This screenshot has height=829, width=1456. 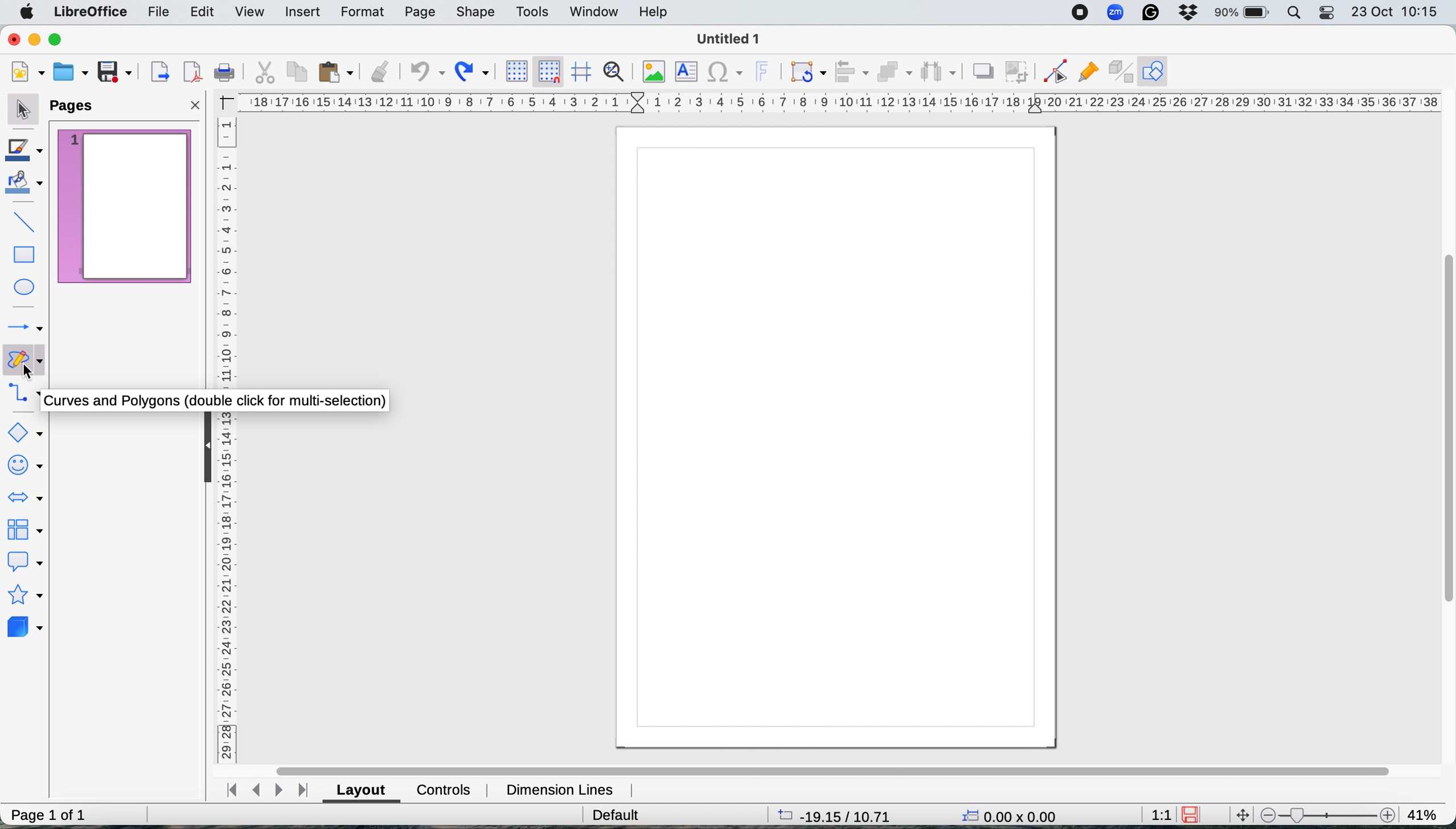 I want to click on format, so click(x=363, y=12).